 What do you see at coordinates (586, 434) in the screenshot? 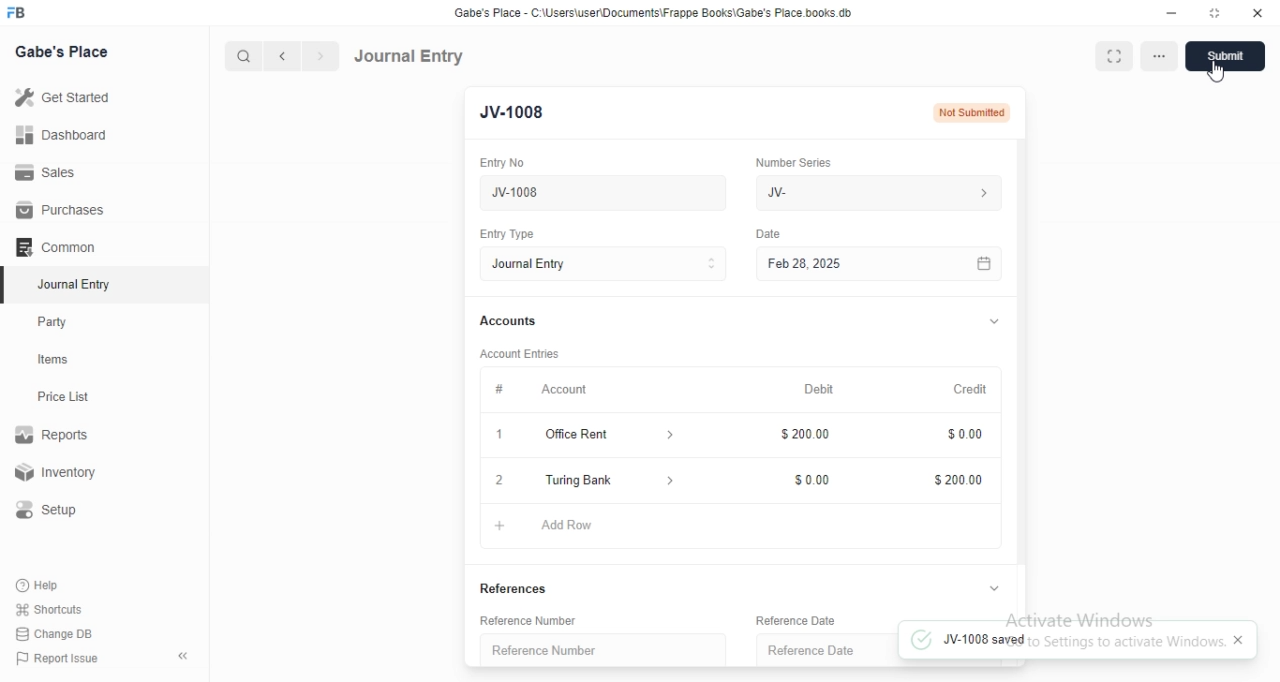
I see `Office Rent` at bounding box center [586, 434].